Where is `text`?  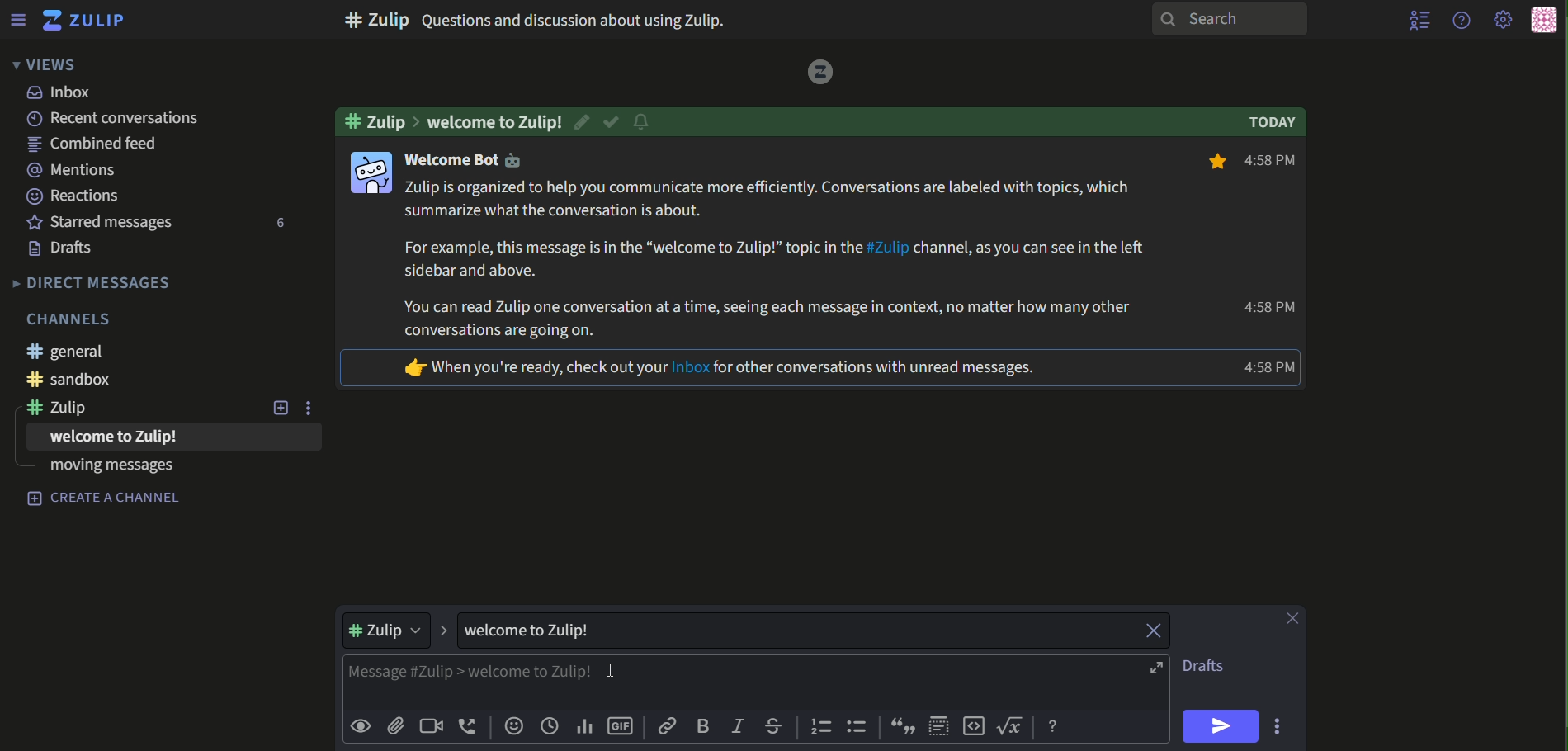
text is located at coordinates (470, 162).